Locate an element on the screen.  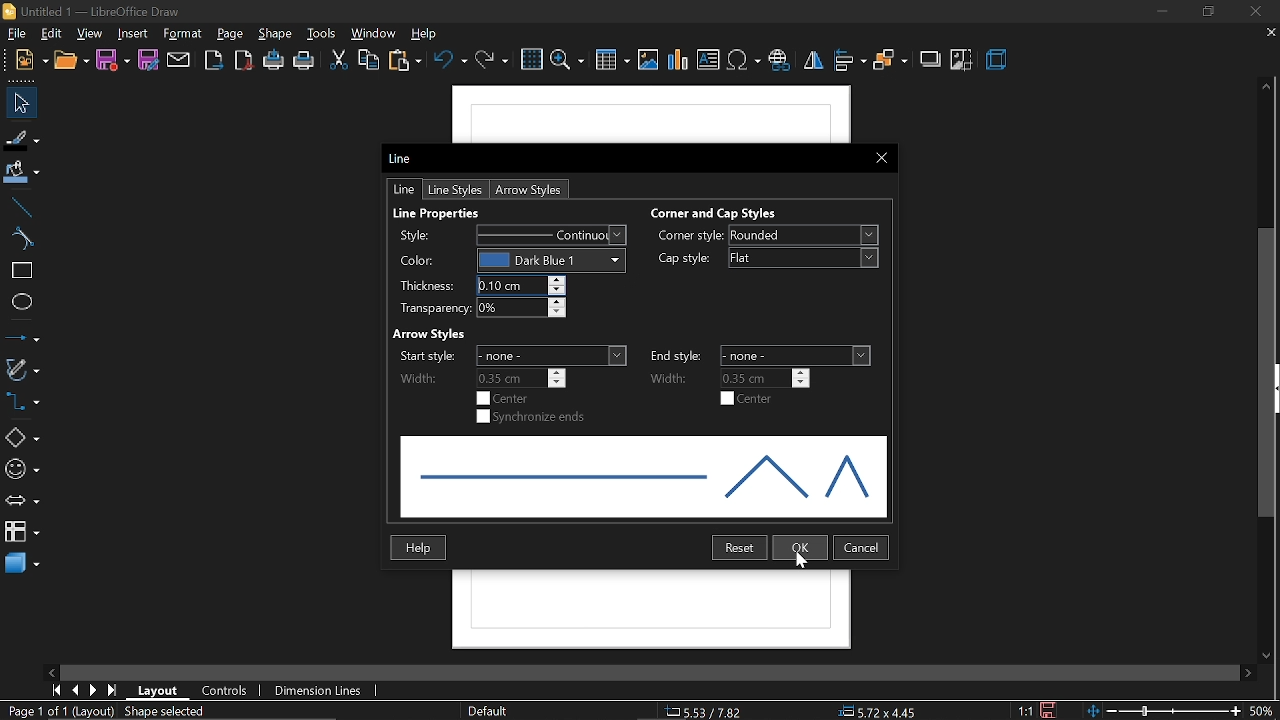
center is located at coordinates (505, 398).